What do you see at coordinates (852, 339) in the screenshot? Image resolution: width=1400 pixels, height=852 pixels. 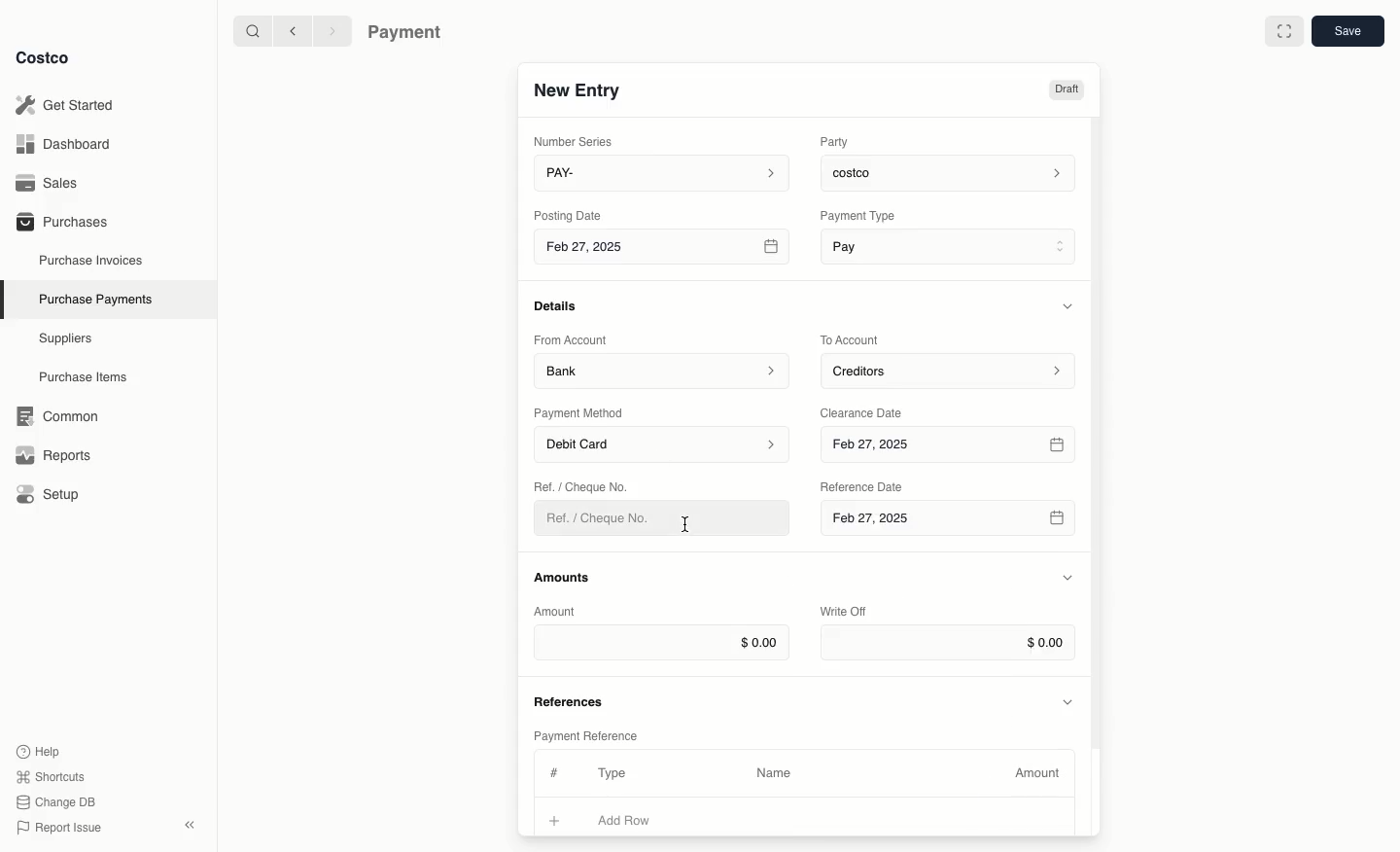 I see `To Account` at bounding box center [852, 339].